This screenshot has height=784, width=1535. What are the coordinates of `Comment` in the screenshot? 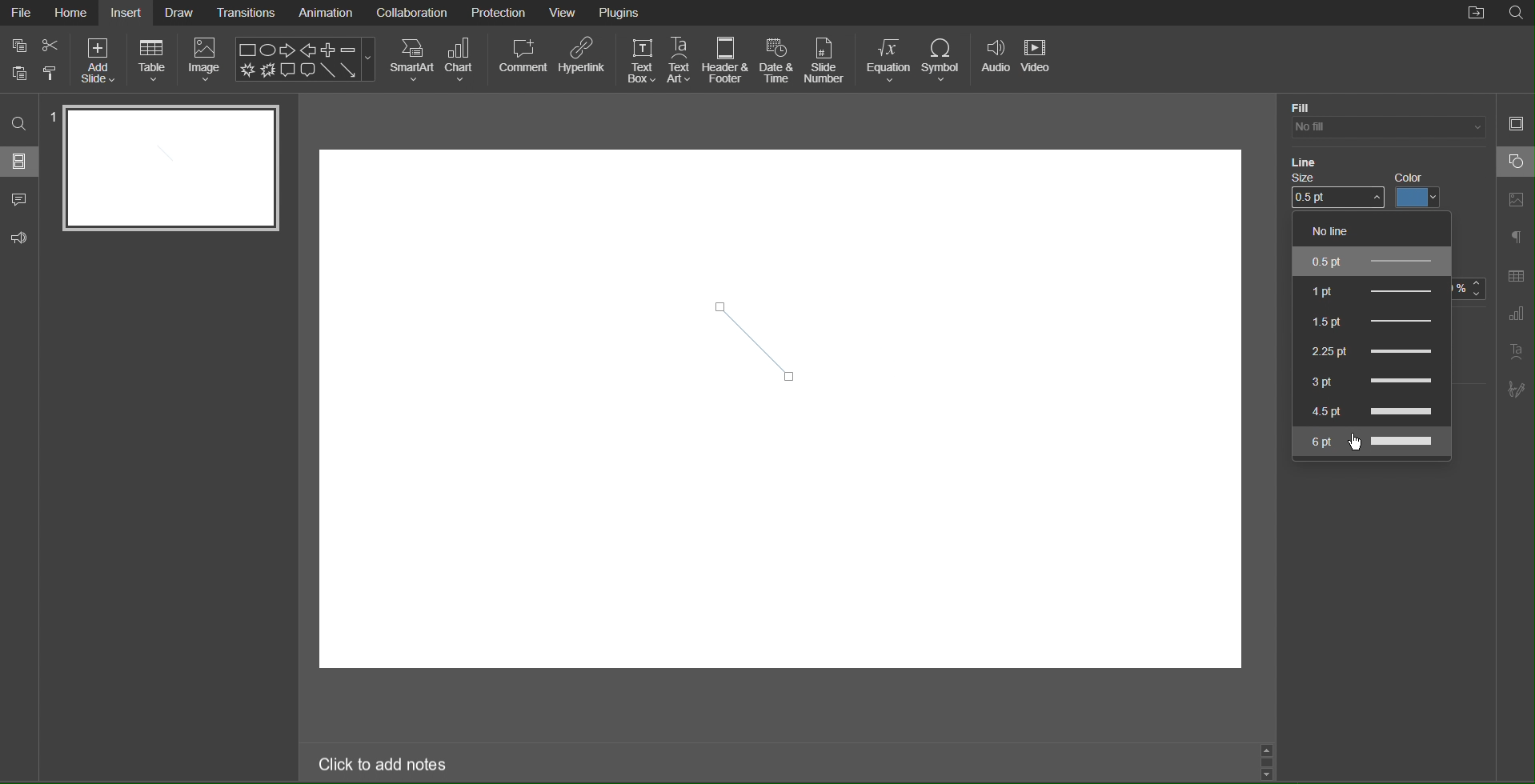 It's located at (20, 201).